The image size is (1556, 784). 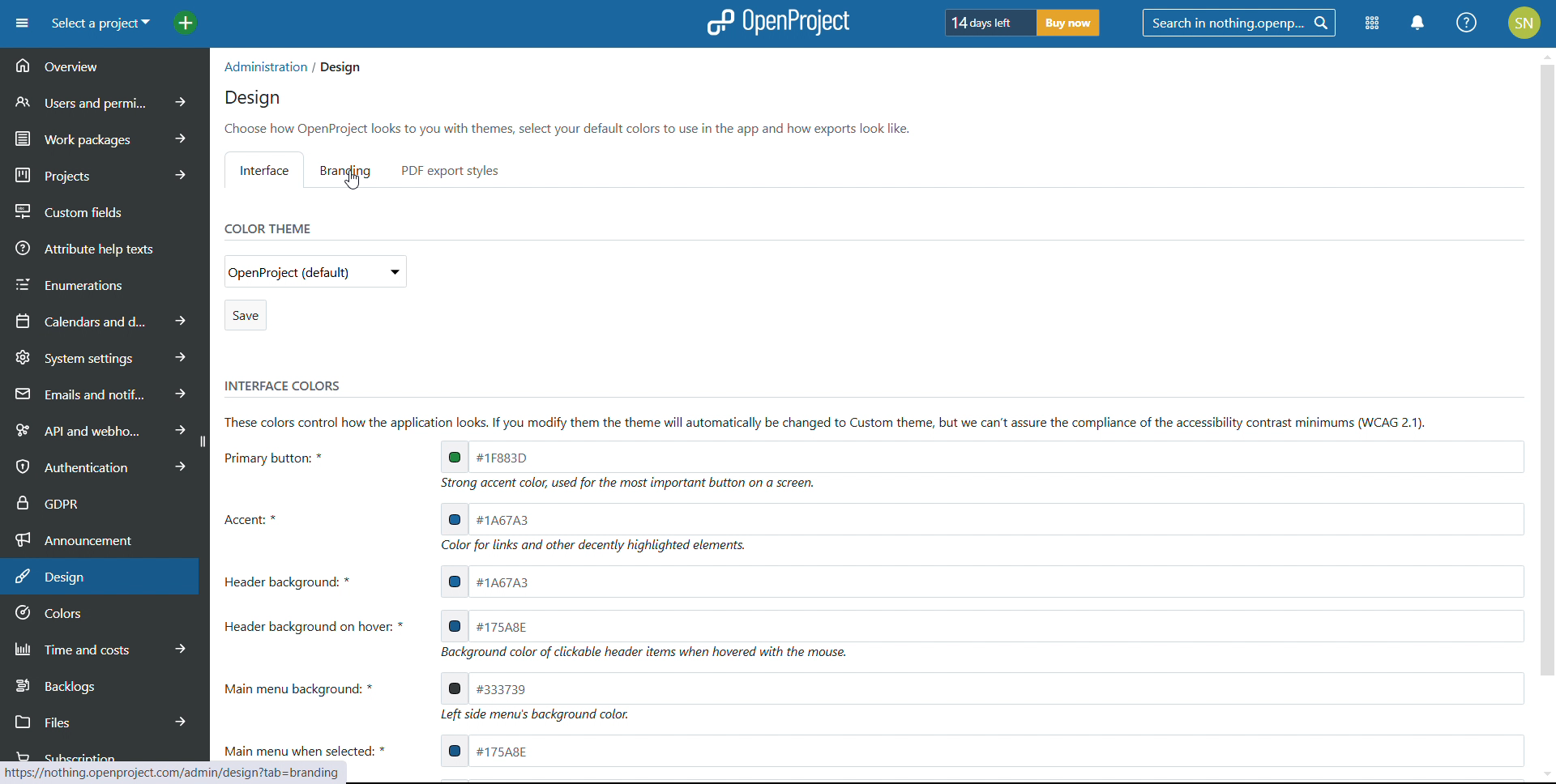 What do you see at coordinates (104, 538) in the screenshot?
I see `announcement` at bounding box center [104, 538].